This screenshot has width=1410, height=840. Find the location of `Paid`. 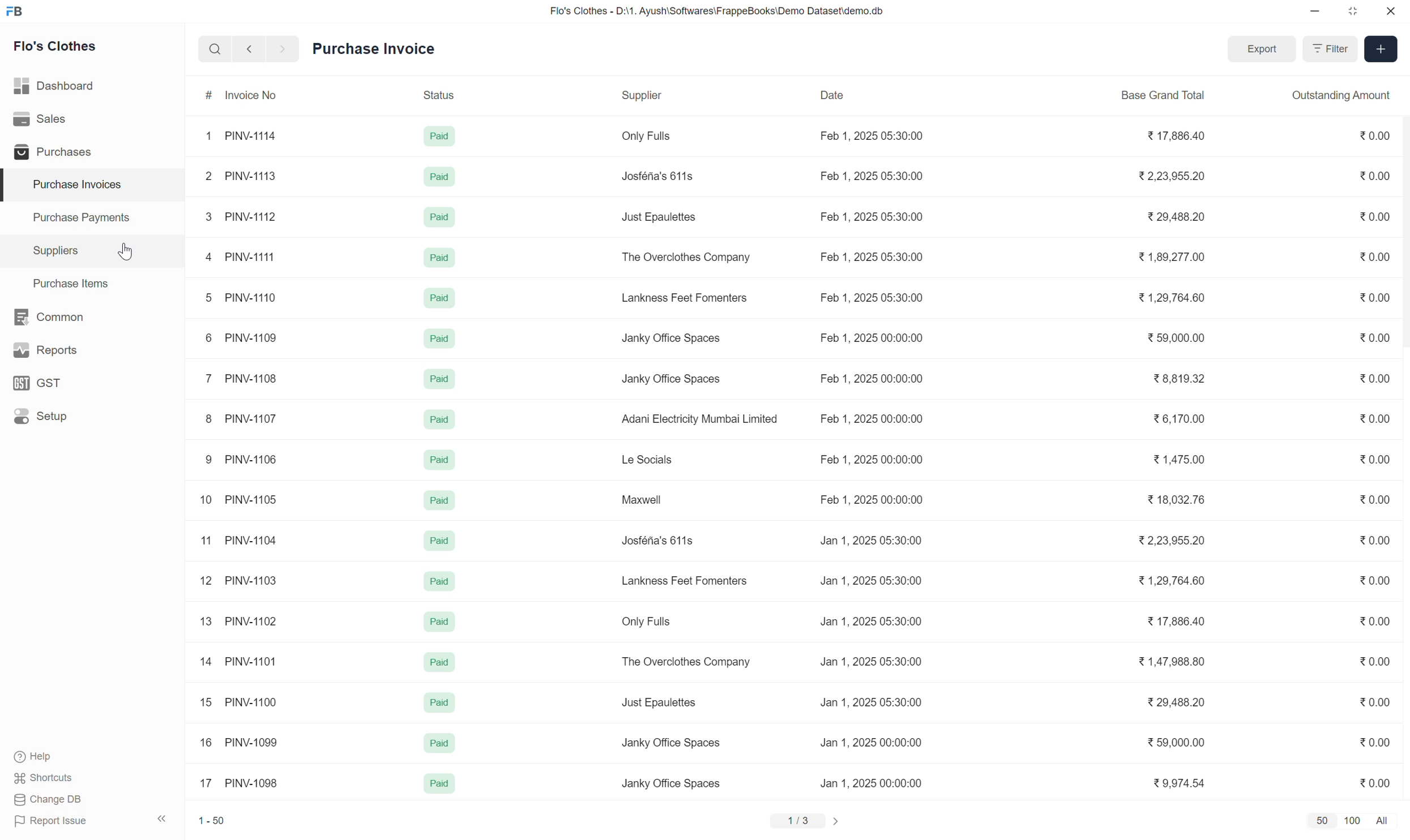

Paid is located at coordinates (439, 662).